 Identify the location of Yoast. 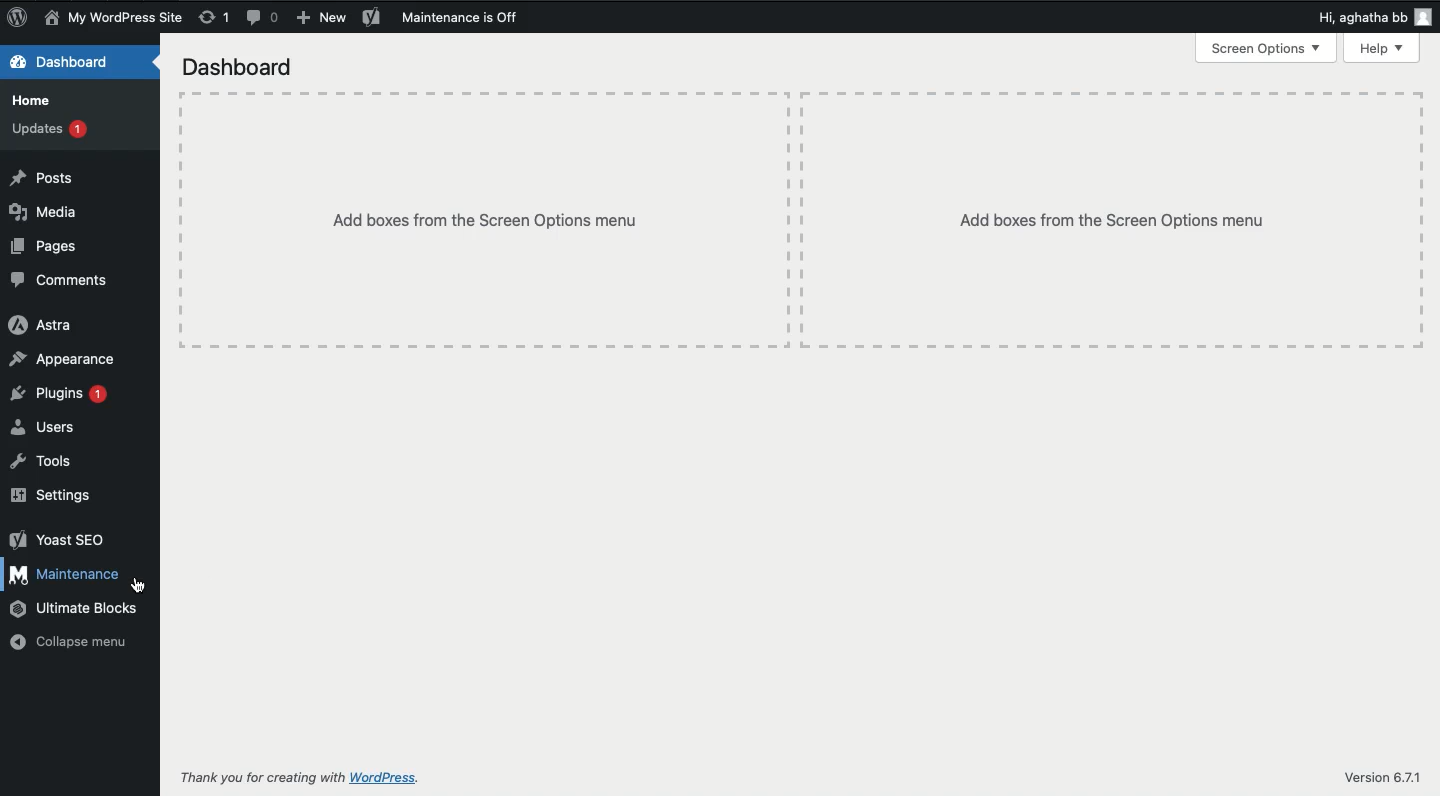
(58, 540).